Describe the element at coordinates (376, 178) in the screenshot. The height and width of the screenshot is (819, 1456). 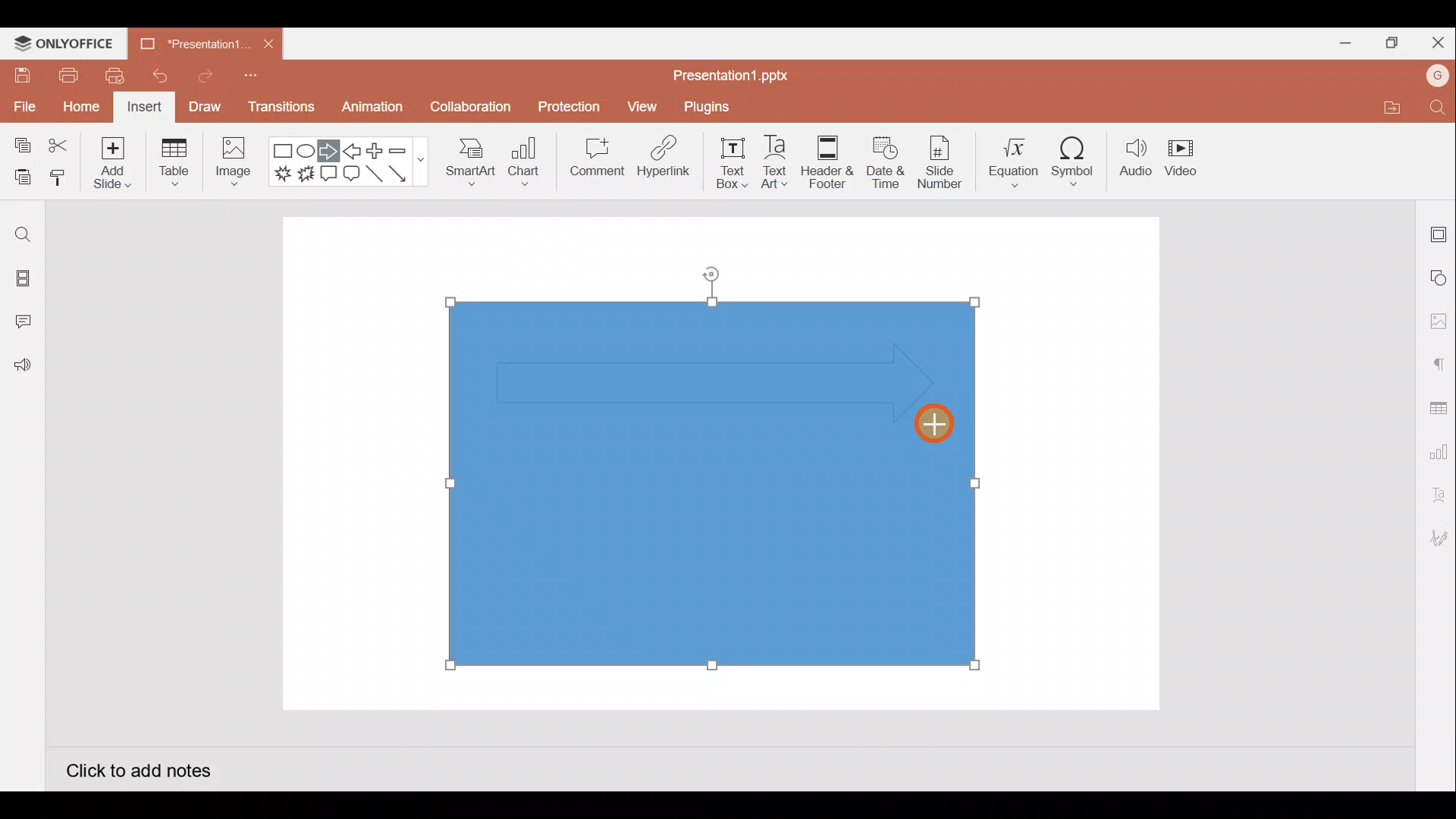
I see `Line` at that location.